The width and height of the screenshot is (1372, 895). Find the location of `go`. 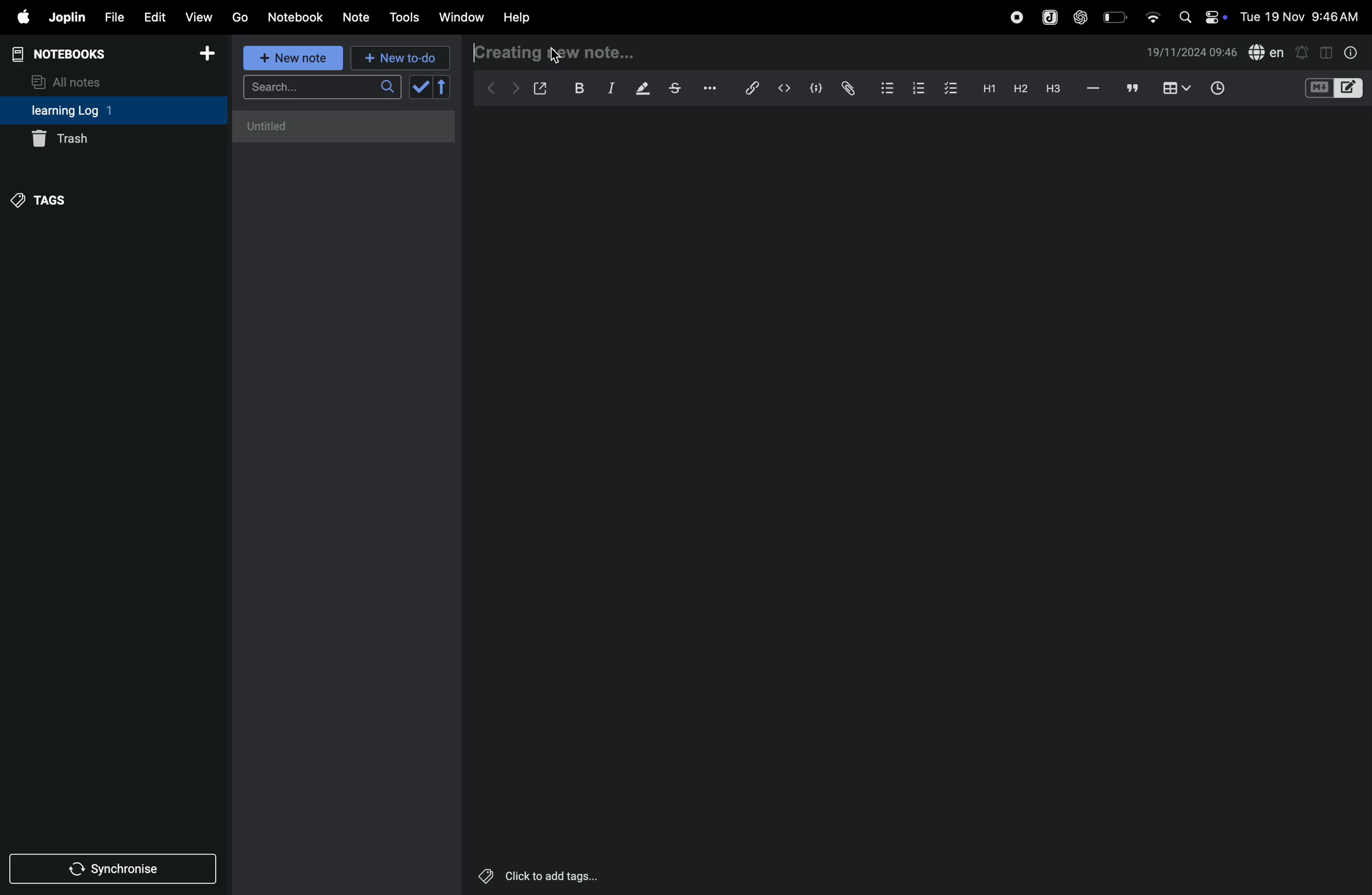

go is located at coordinates (239, 17).